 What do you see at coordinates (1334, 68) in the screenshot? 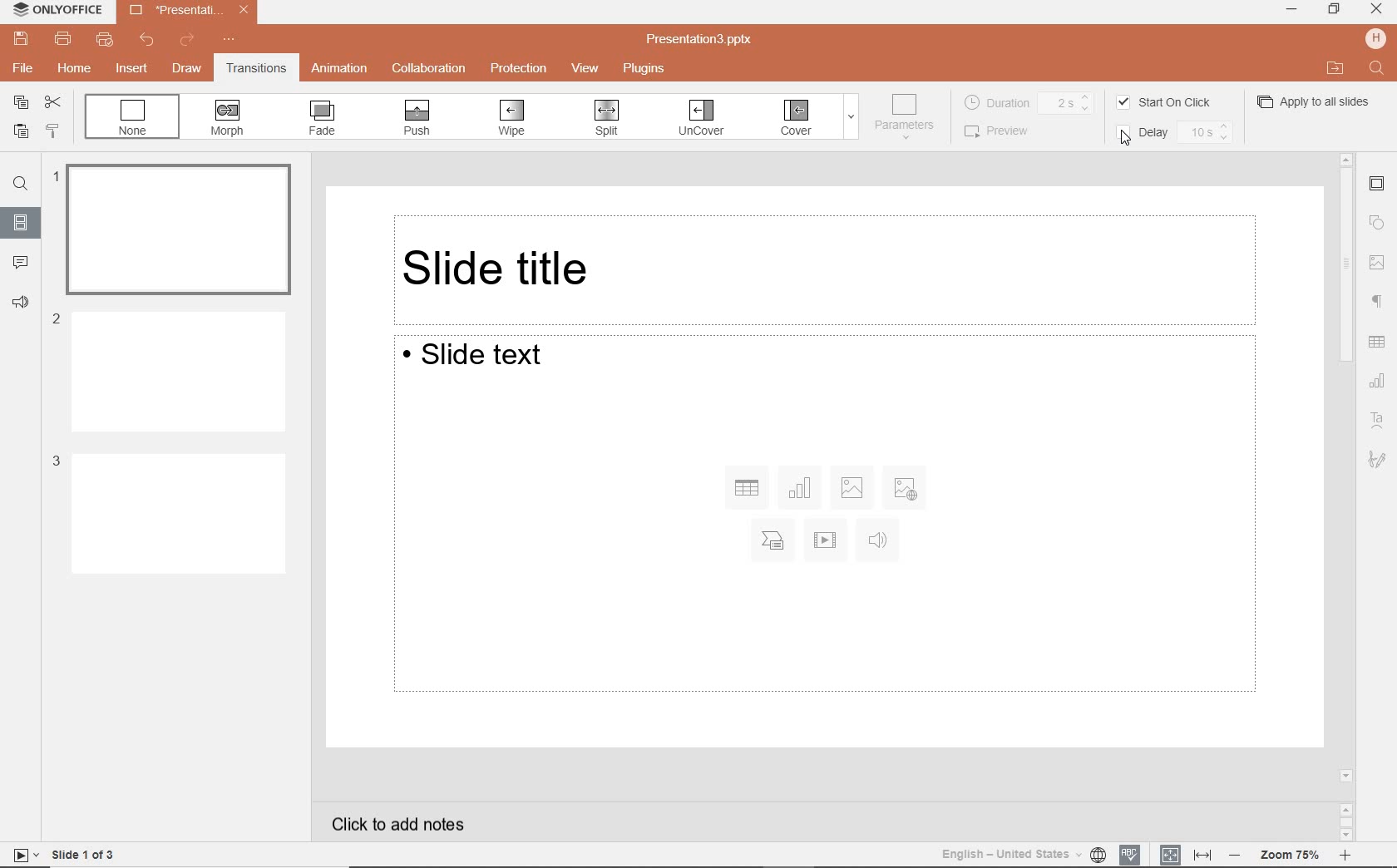
I see `OPEN FILE LOCATION` at bounding box center [1334, 68].